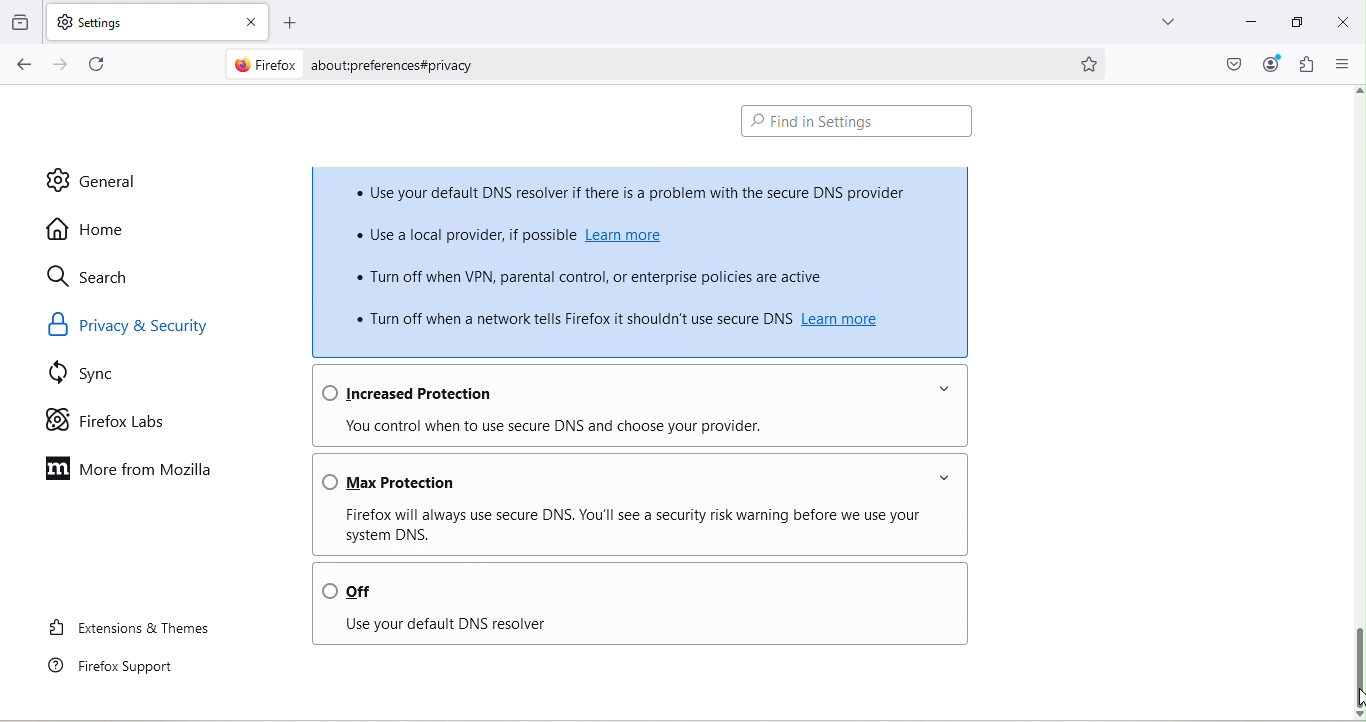 This screenshot has height=722, width=1366. Describe the element at coordinates (618, 319) in the screenshot. I see `» Tum off when a network tells Firefox it shouldn't use secure DNS Learn more` at that location.